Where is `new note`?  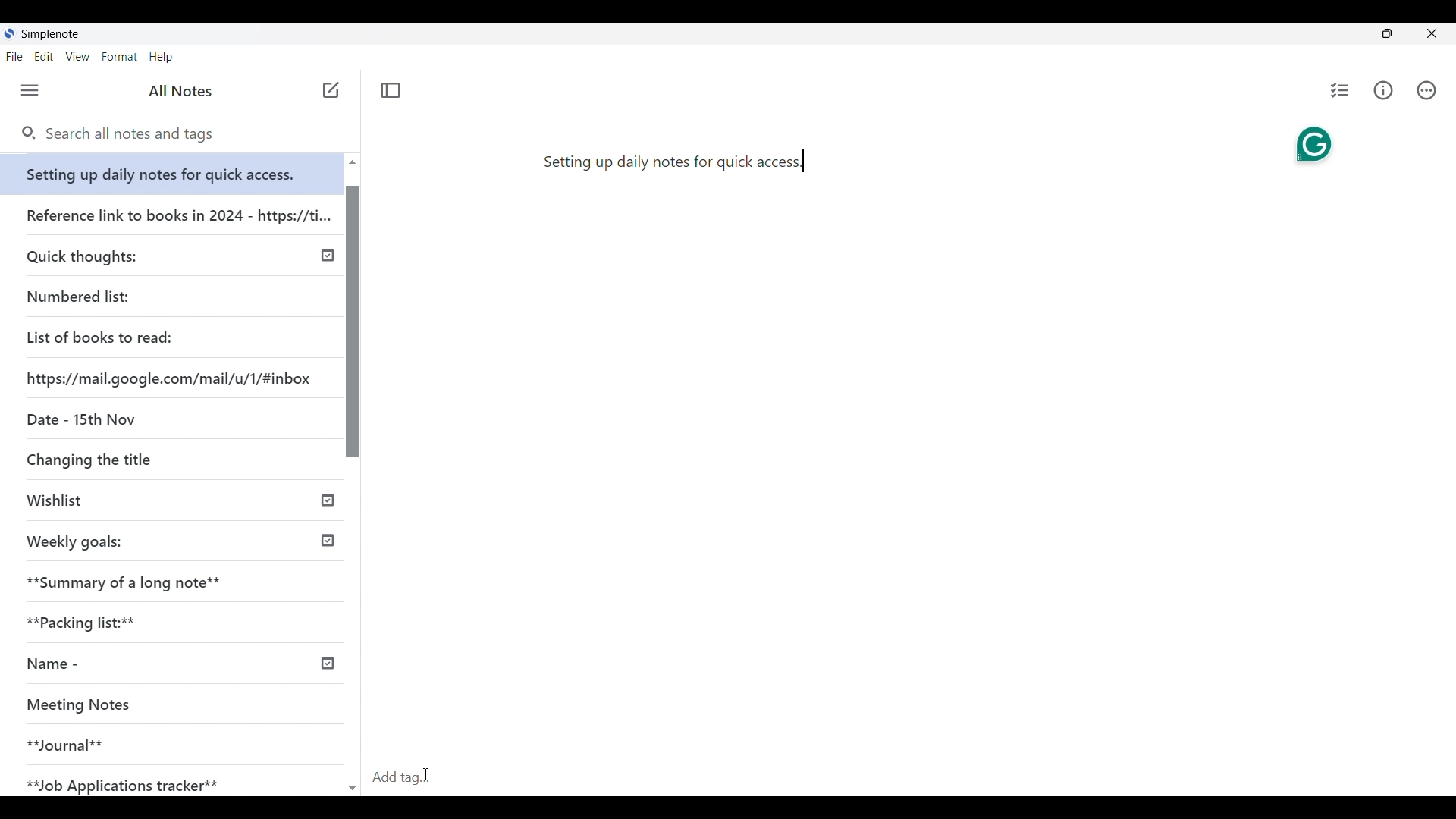 new note is located at coordinates (331, 91).